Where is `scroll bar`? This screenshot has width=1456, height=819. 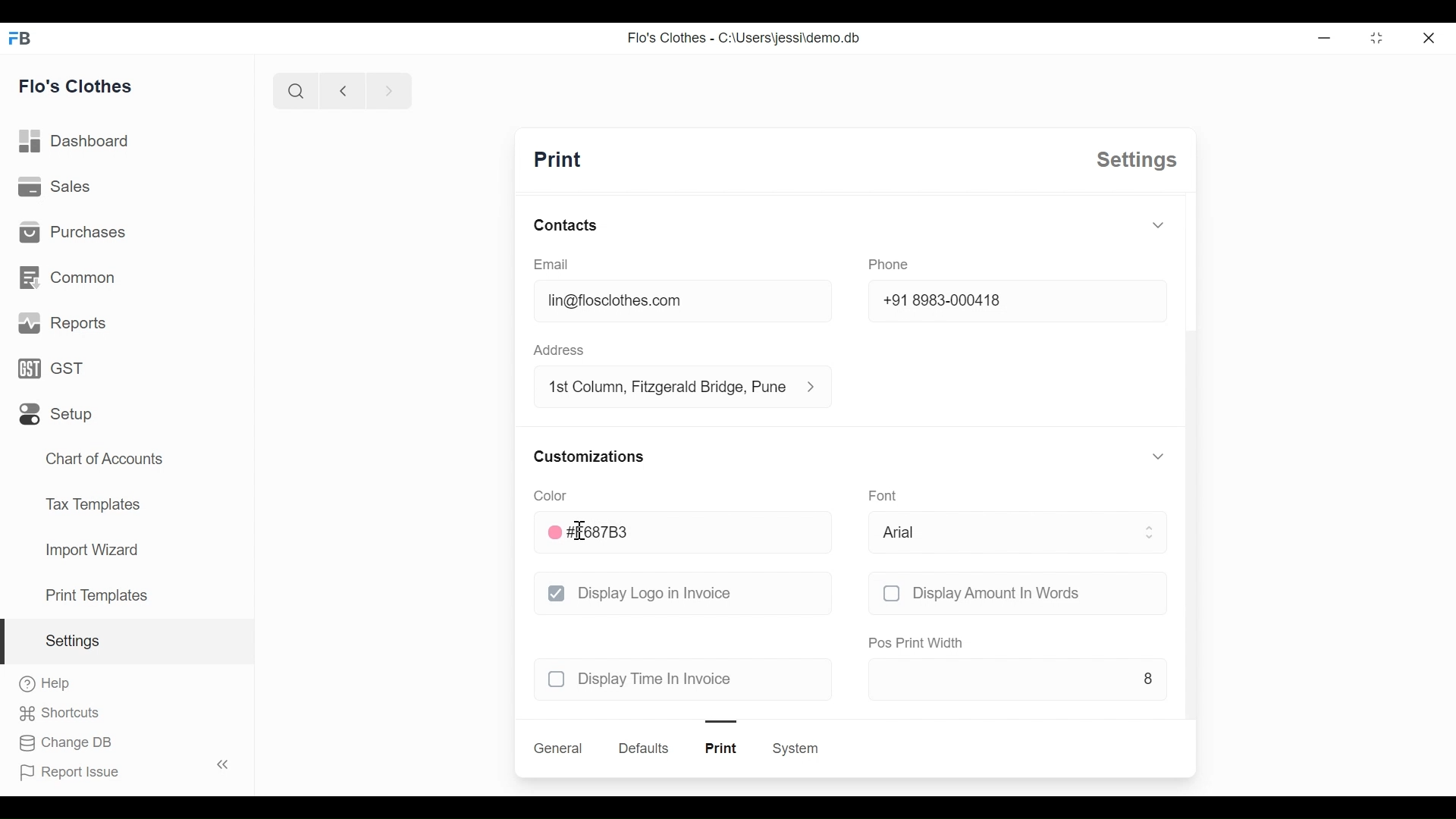
scroll bar is located at coordinates (1191, 523).